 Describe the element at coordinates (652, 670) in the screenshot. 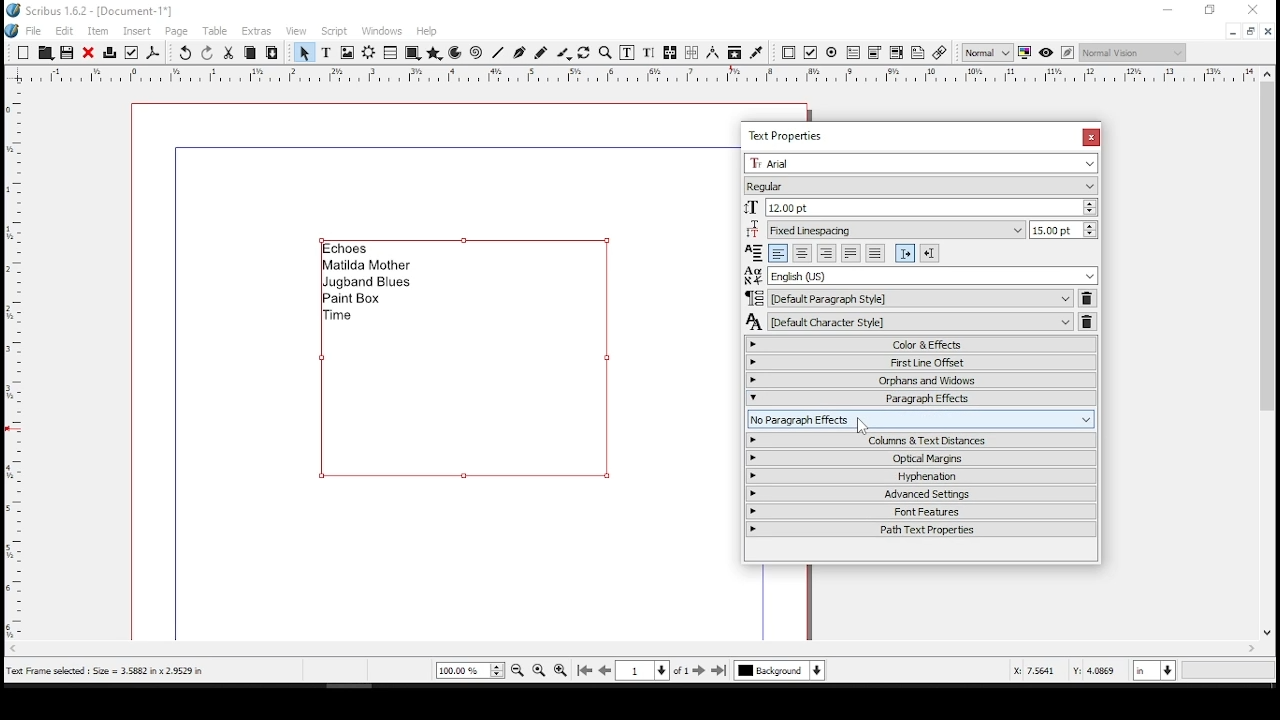

I see `go to page` at that location.